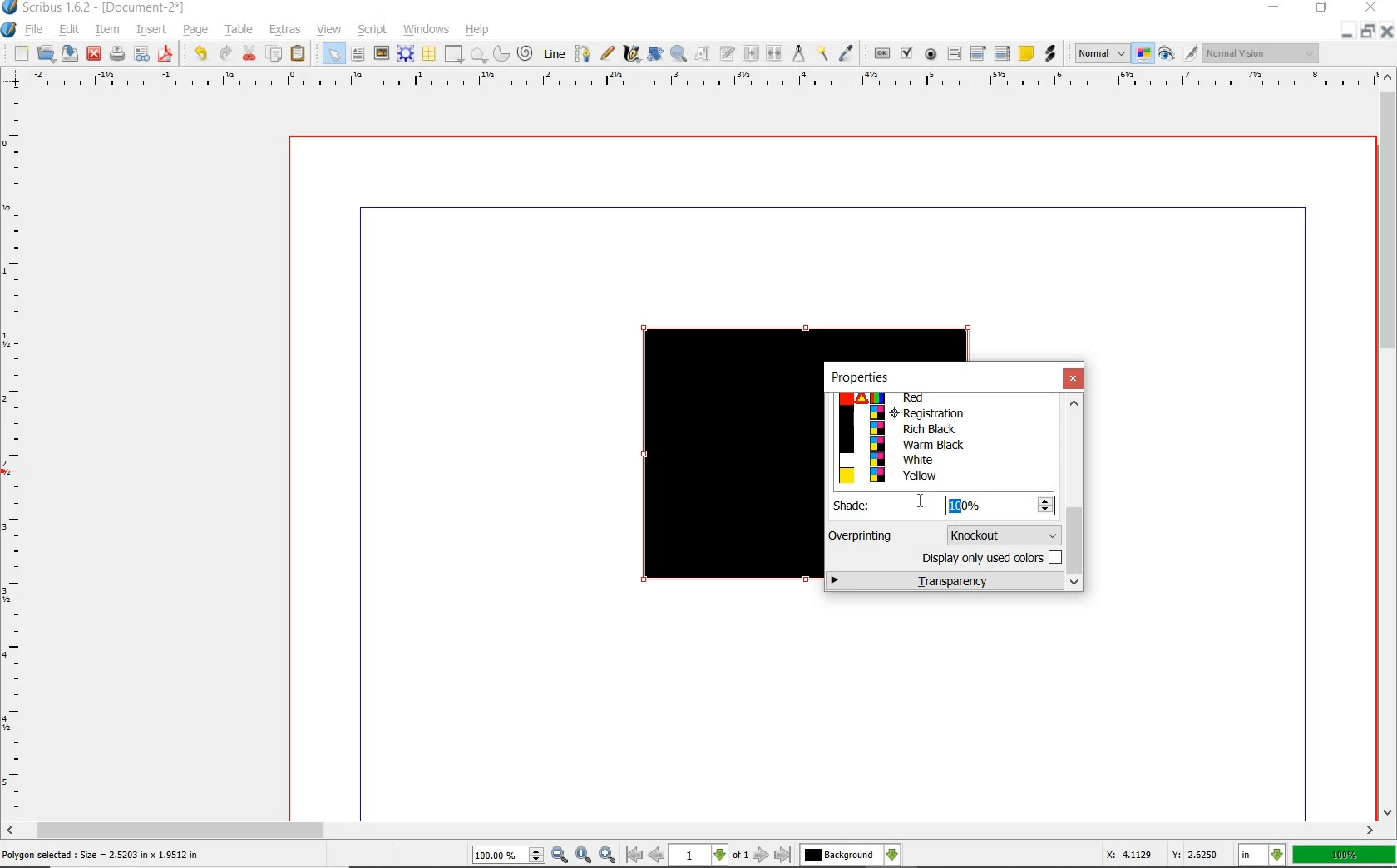  Describe the element at coordinates (560, 855) in the screenshot. I see `zoom out` at that location.